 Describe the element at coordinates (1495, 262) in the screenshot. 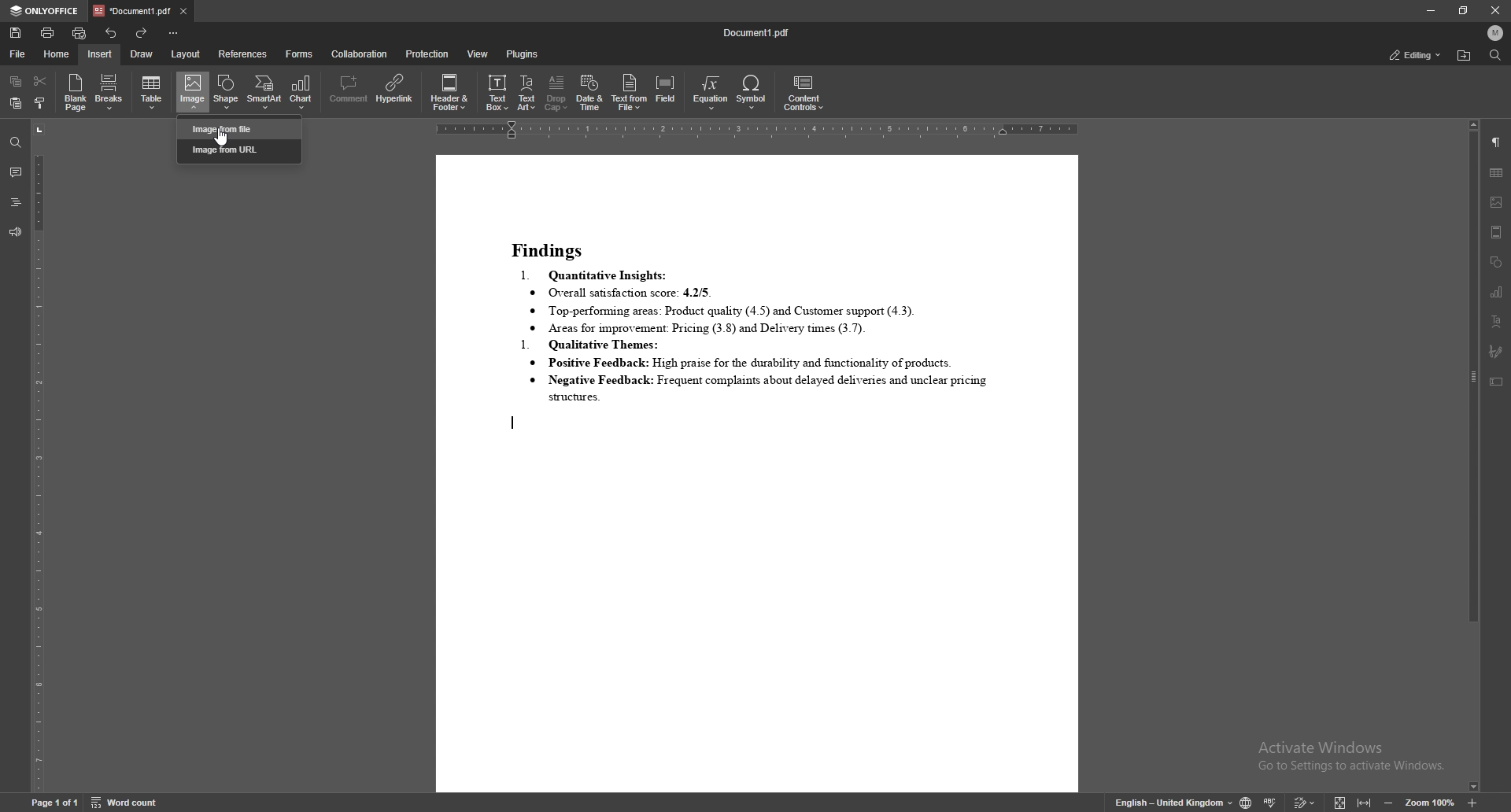

I see `shapes` at that location.